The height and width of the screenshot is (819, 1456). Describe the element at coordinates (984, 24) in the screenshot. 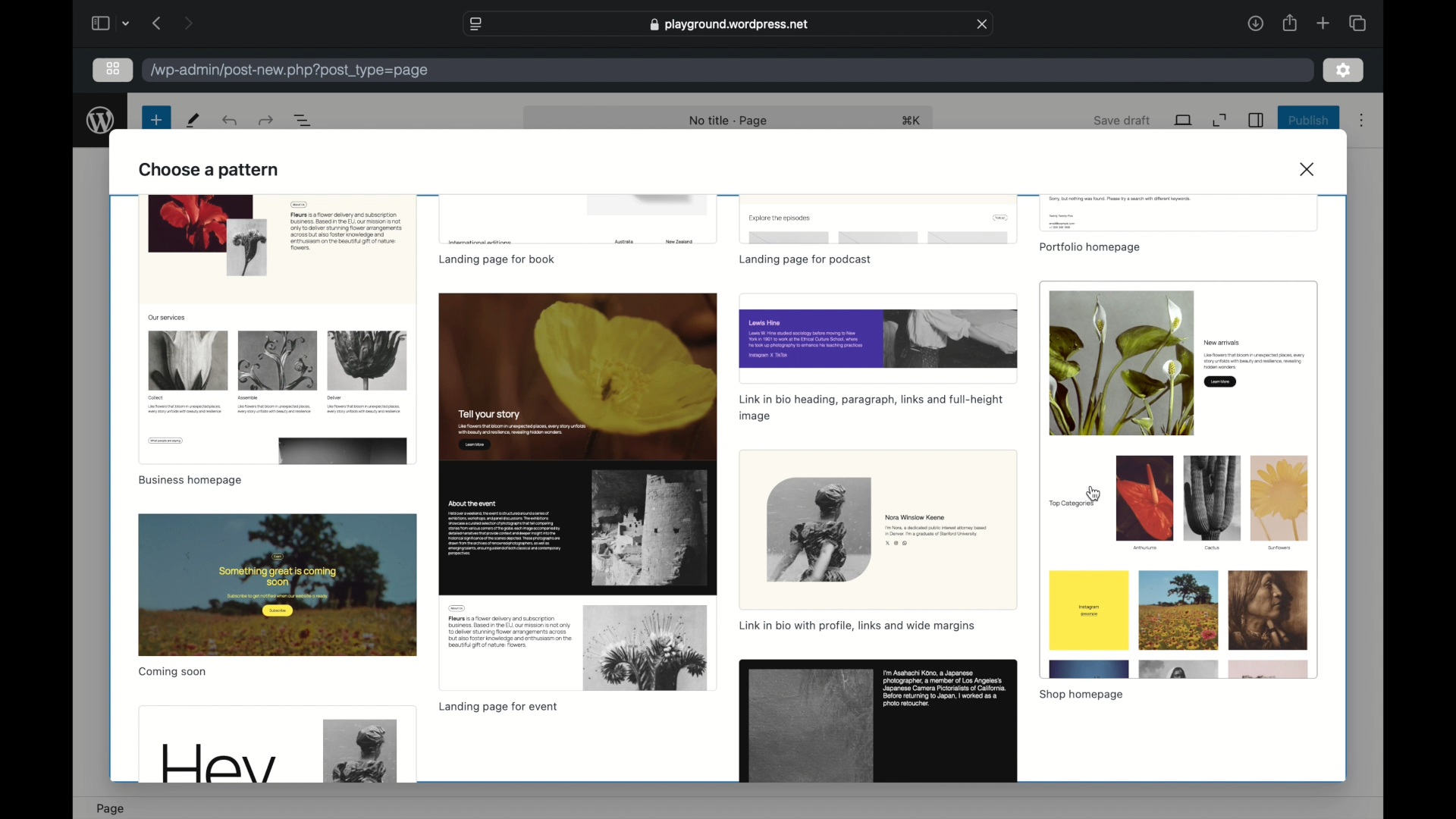

I see `close` at that location.